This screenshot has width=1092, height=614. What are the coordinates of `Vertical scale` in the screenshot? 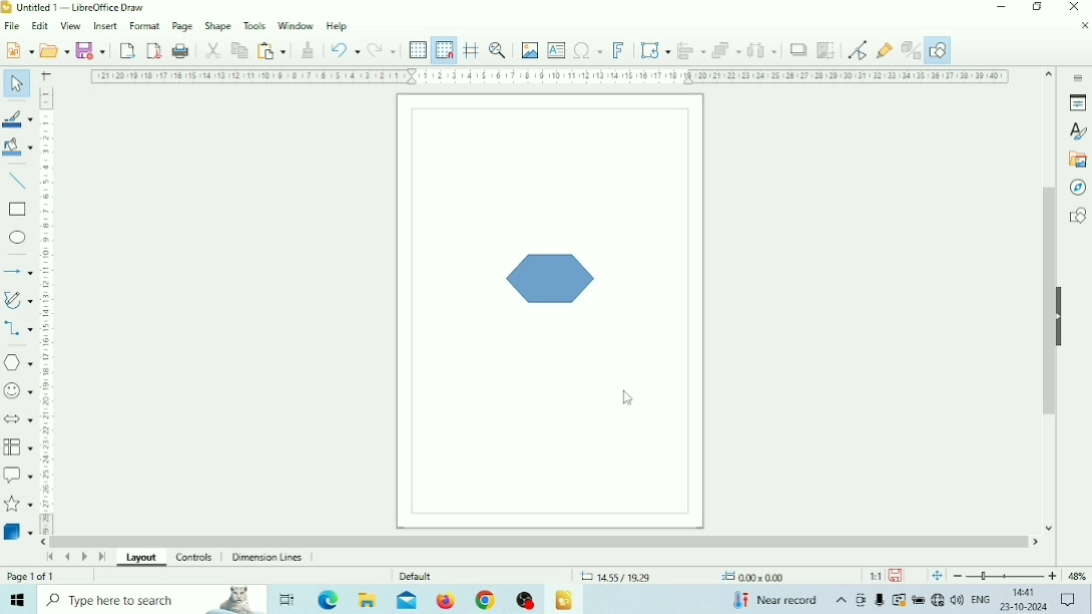 It's located at (46, 310).